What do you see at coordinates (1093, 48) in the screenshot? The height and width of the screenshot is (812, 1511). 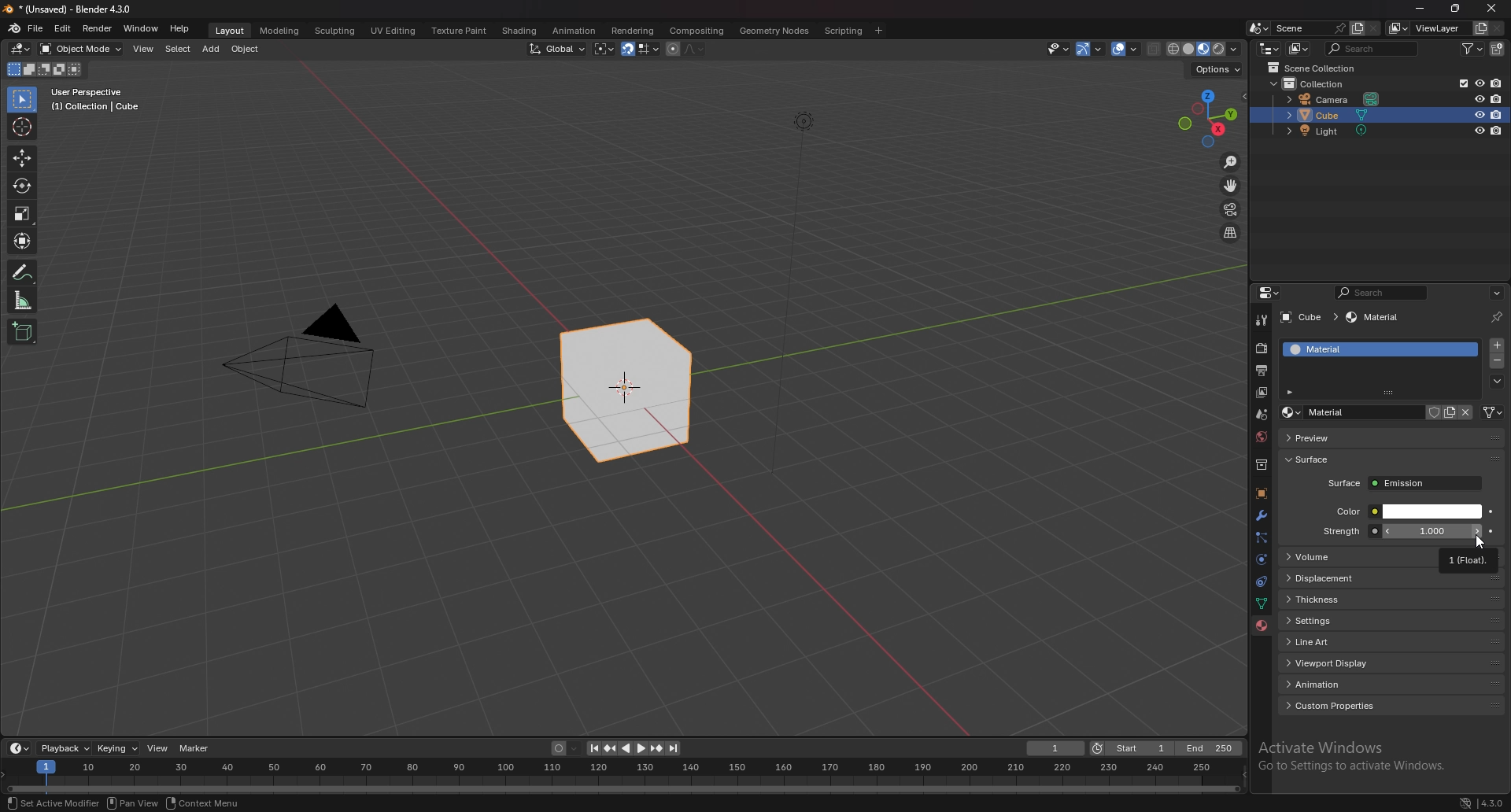 I see `gizmo` at bounding box center [1093, 48].